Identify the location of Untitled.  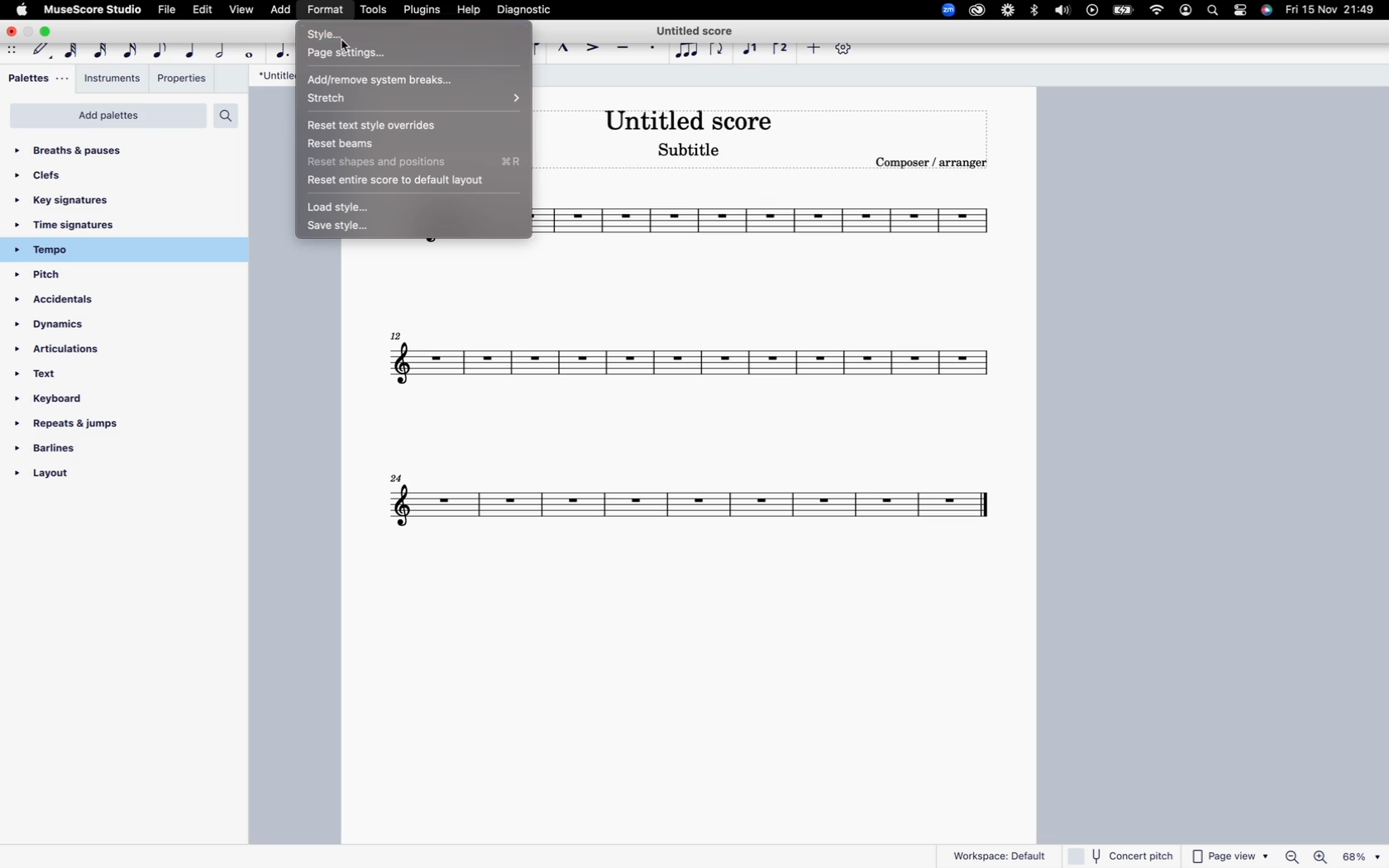
(274, 76).